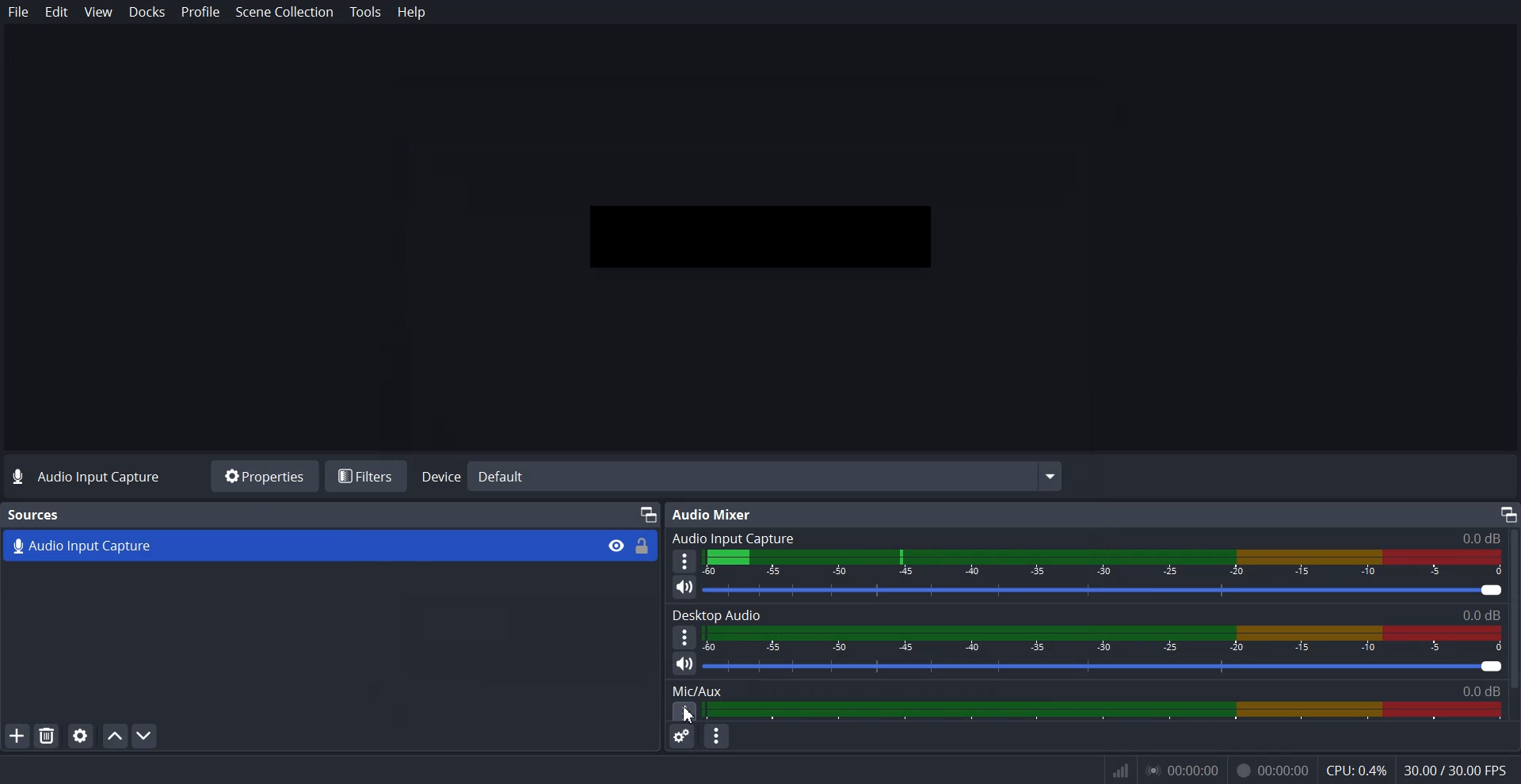 The image size is (1521, 784). What do you see at coordinates (616, 545) in the screenshot?
I see `Eye` at bounding box center [616, 545].